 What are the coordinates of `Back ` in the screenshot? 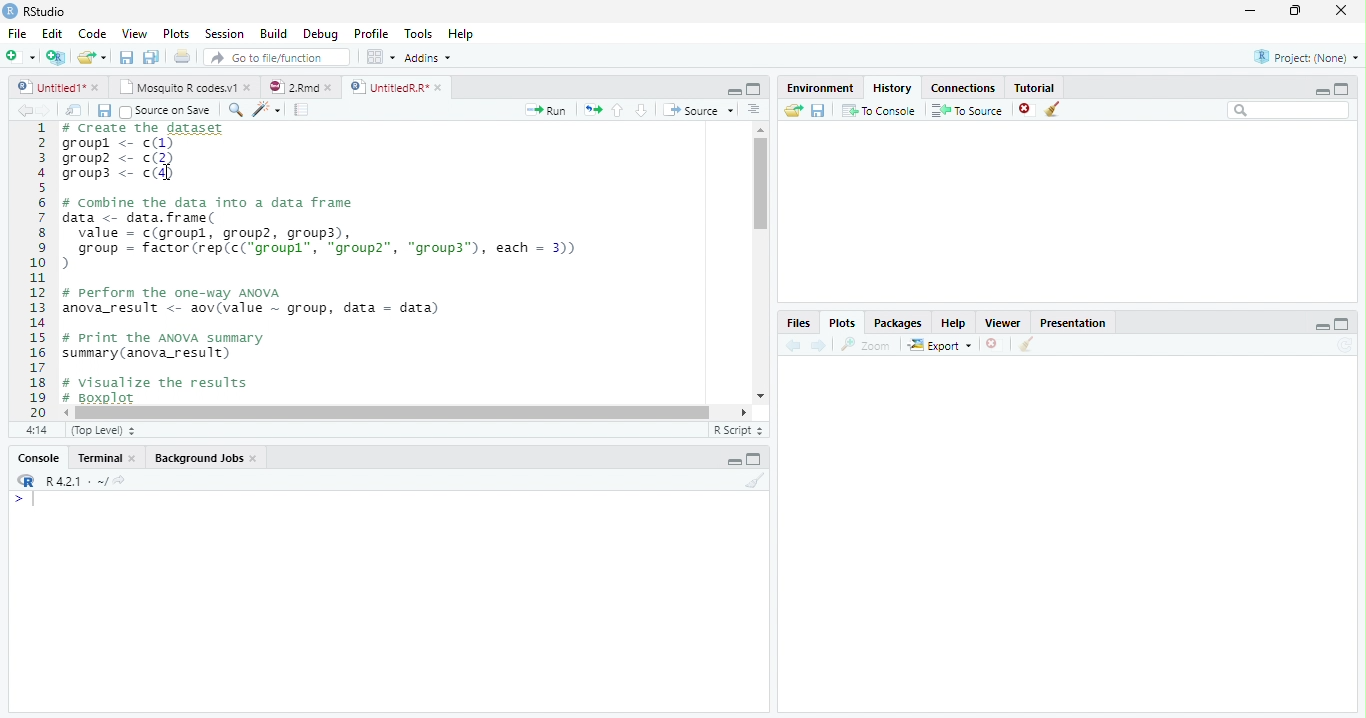 It's located at (26, 111).